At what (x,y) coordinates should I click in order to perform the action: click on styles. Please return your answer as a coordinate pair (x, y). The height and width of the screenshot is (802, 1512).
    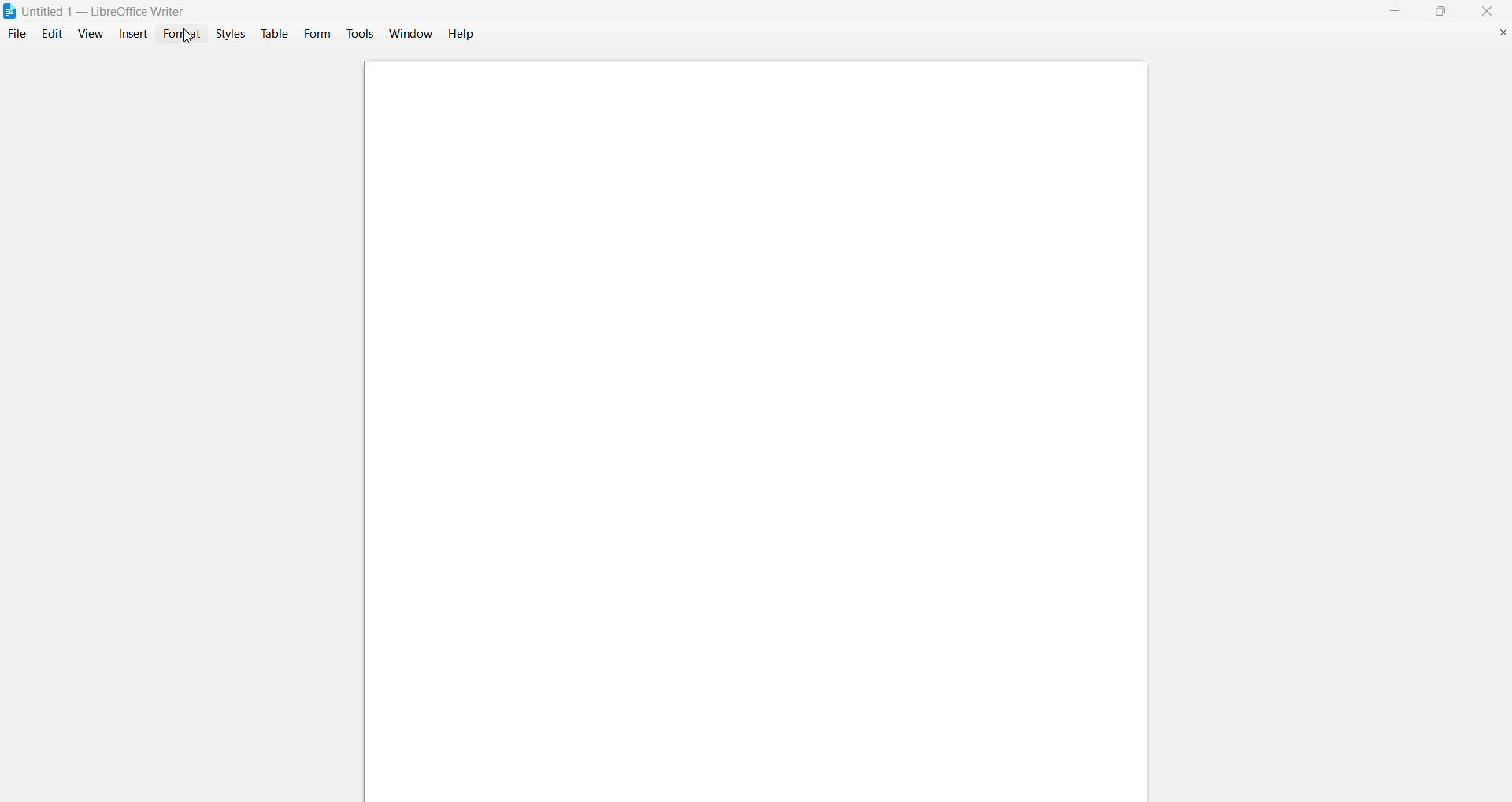
    Looking at the image, I should click on (228, 35).